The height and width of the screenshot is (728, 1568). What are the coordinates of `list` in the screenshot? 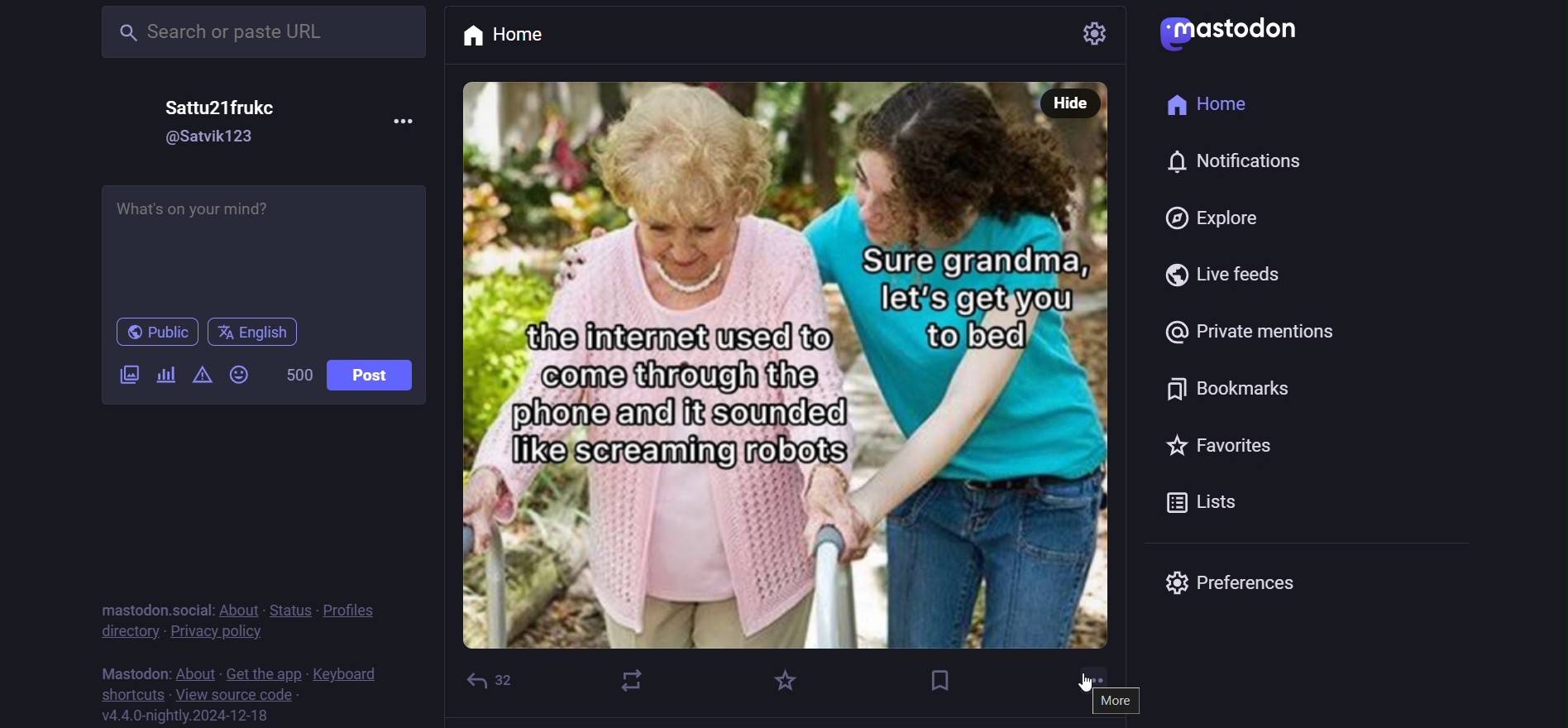 It's located at (1209, 502).